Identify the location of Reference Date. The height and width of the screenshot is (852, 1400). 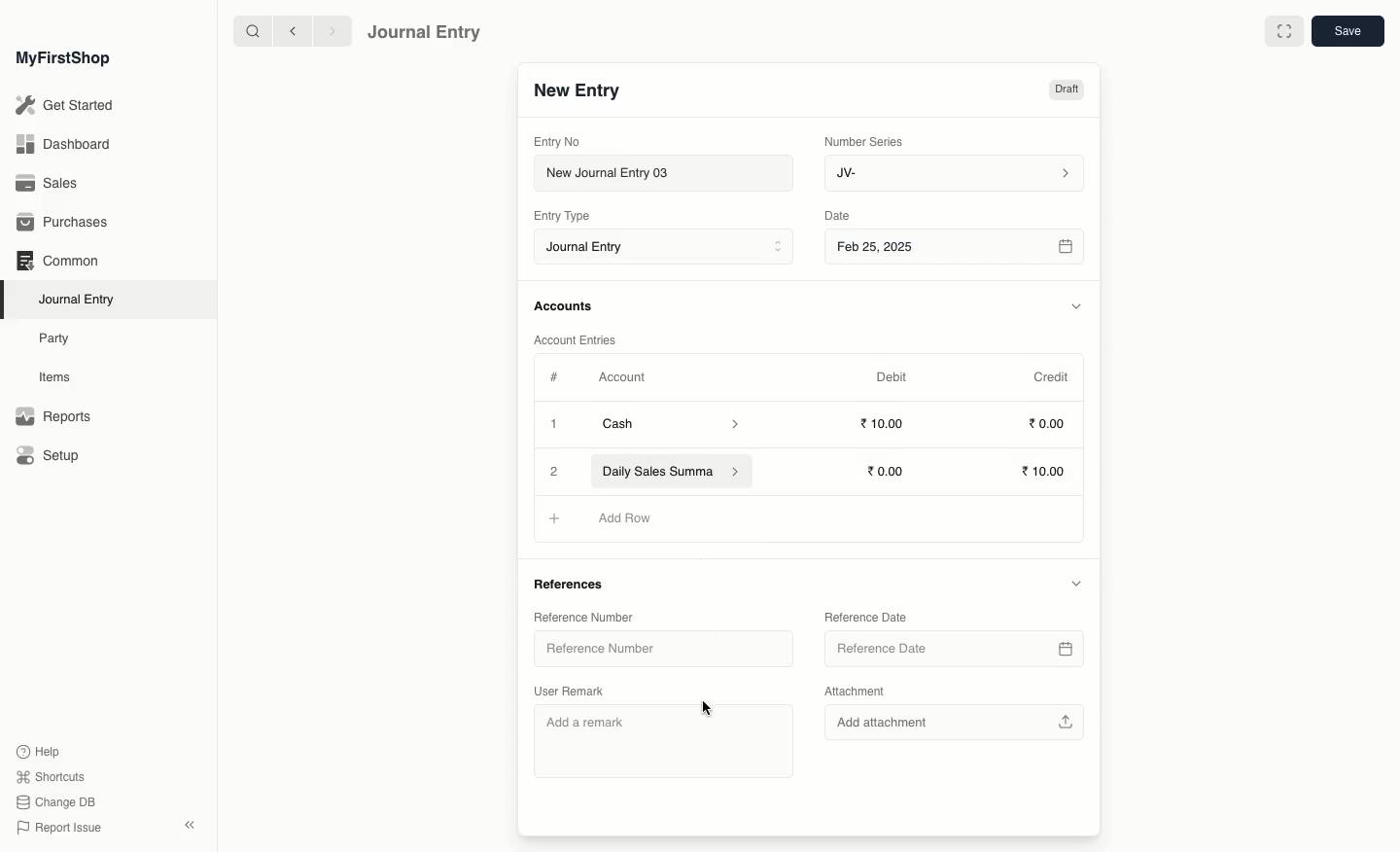
(864, 616).